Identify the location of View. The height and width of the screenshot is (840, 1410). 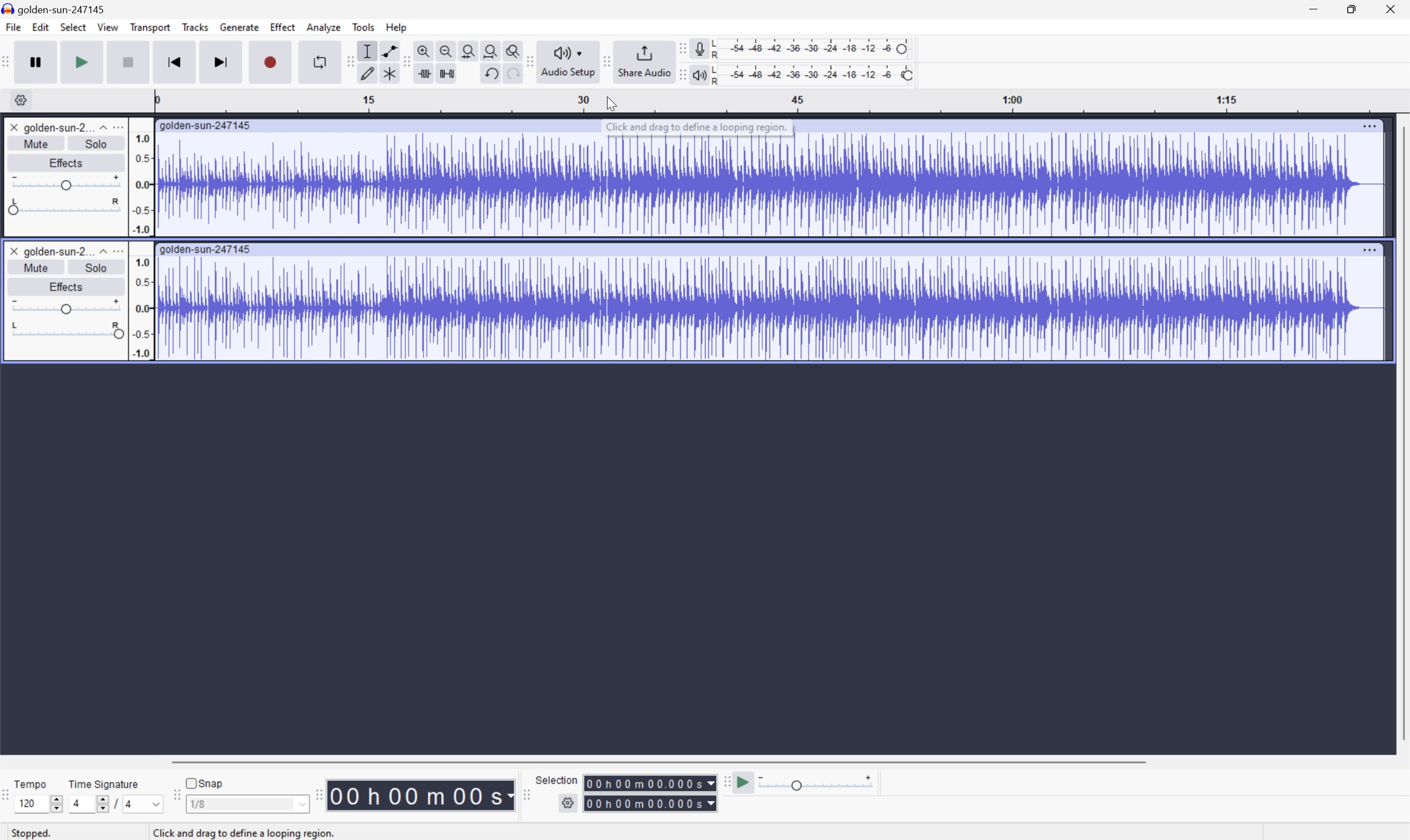
(109, 26).